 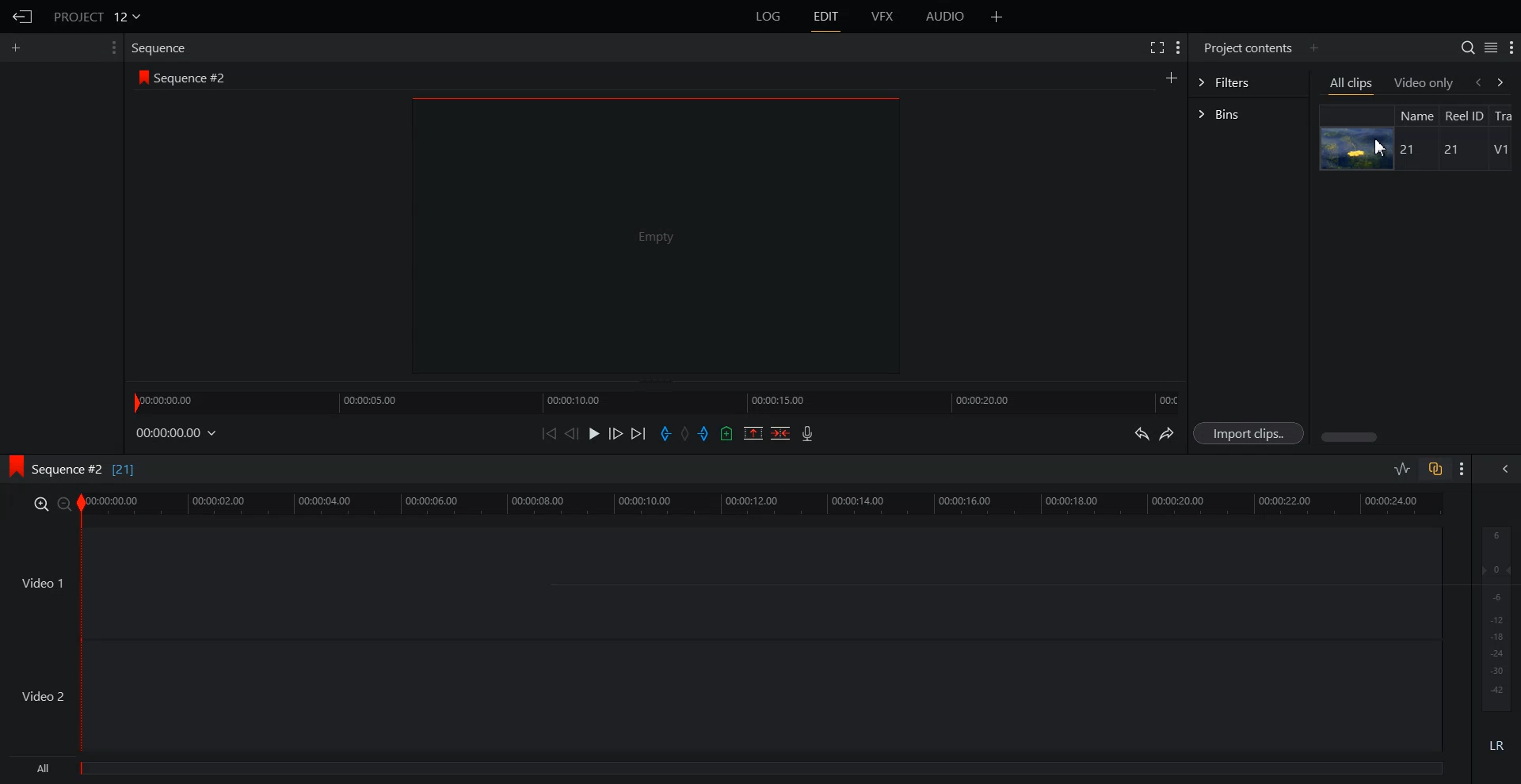 I want to click on Search, so click(x=1468, y=48).